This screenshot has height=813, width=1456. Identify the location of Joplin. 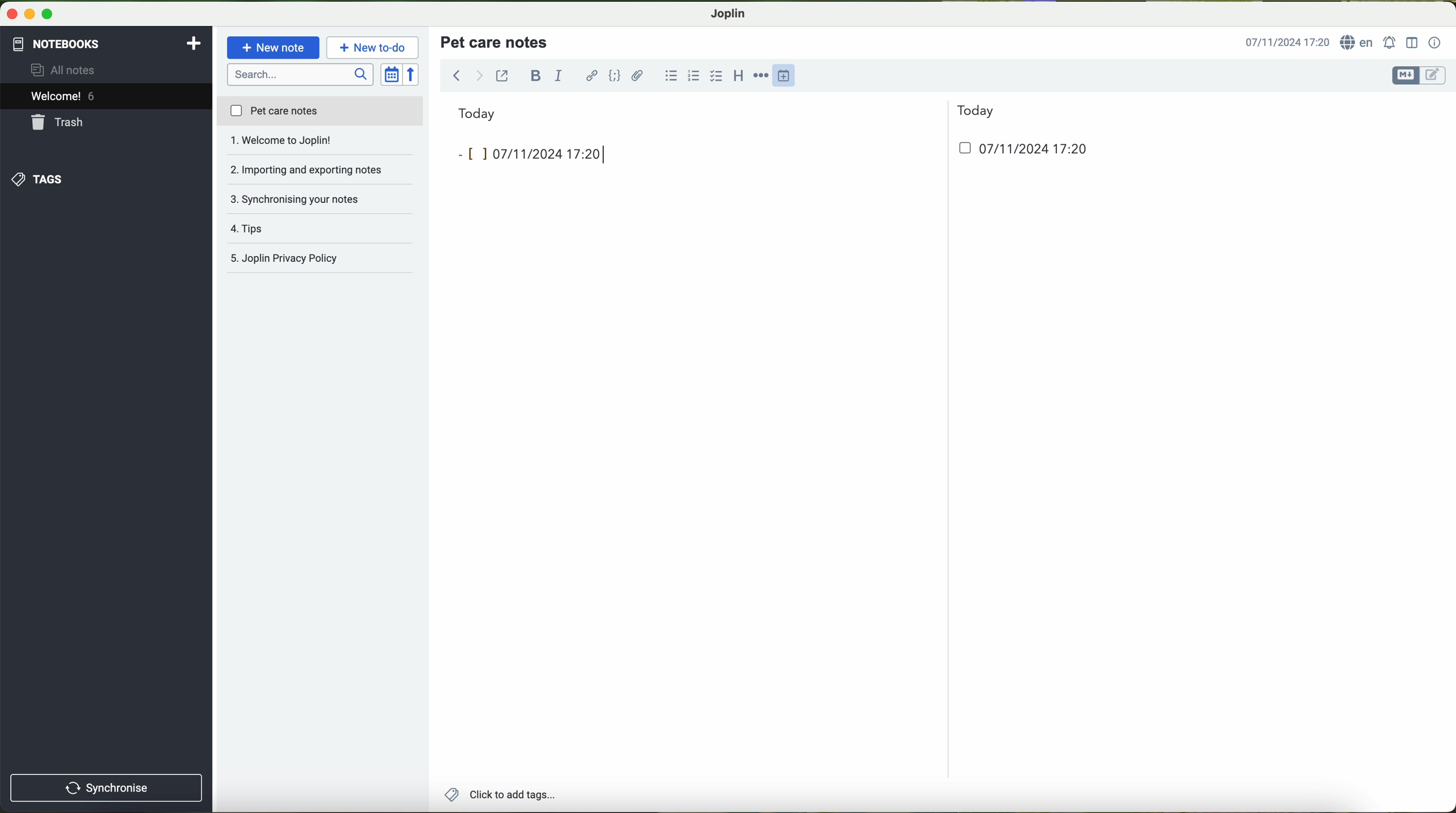
(729, 12).